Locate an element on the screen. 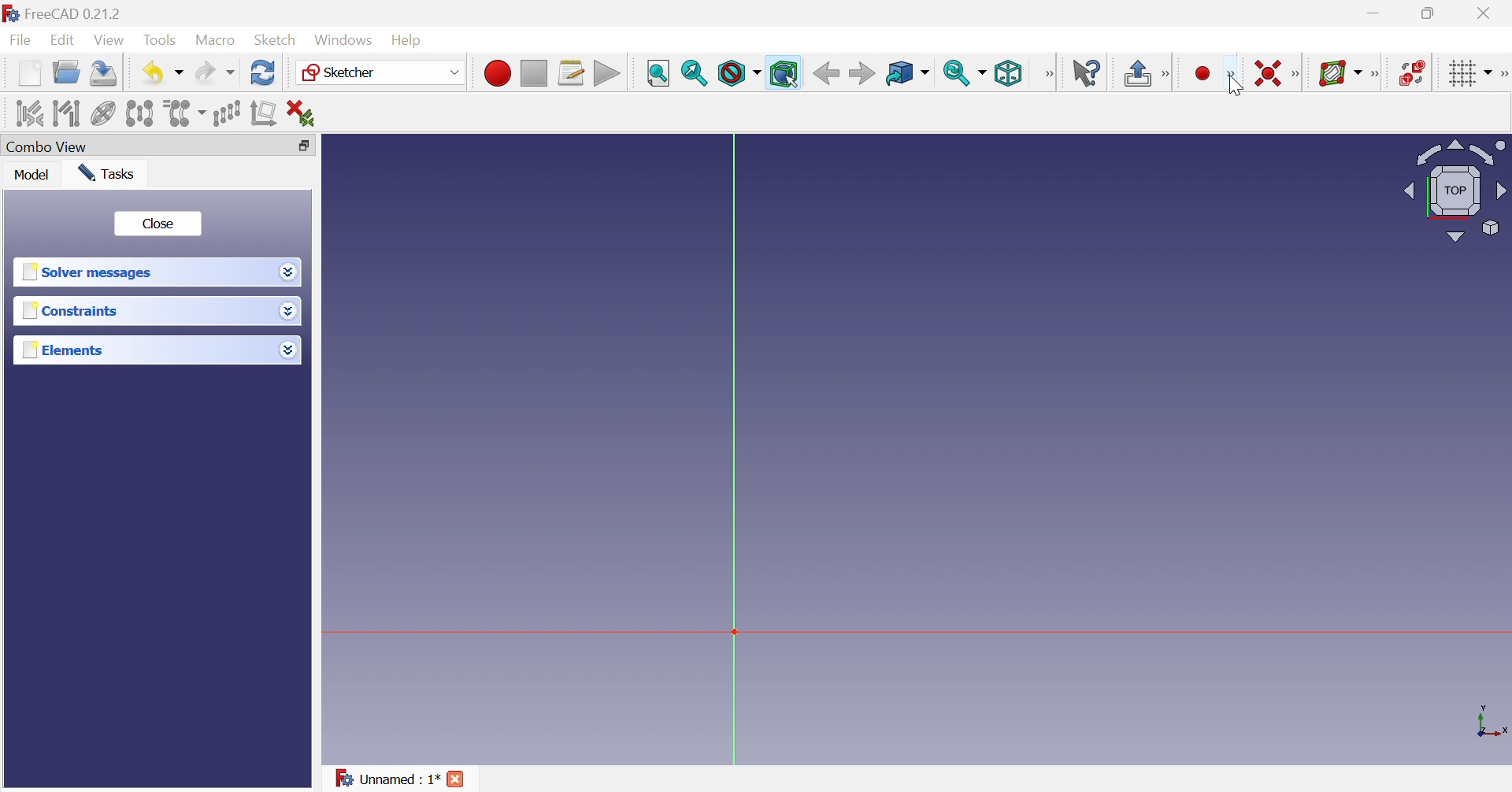  Tools is located at coordinates (159, 41).